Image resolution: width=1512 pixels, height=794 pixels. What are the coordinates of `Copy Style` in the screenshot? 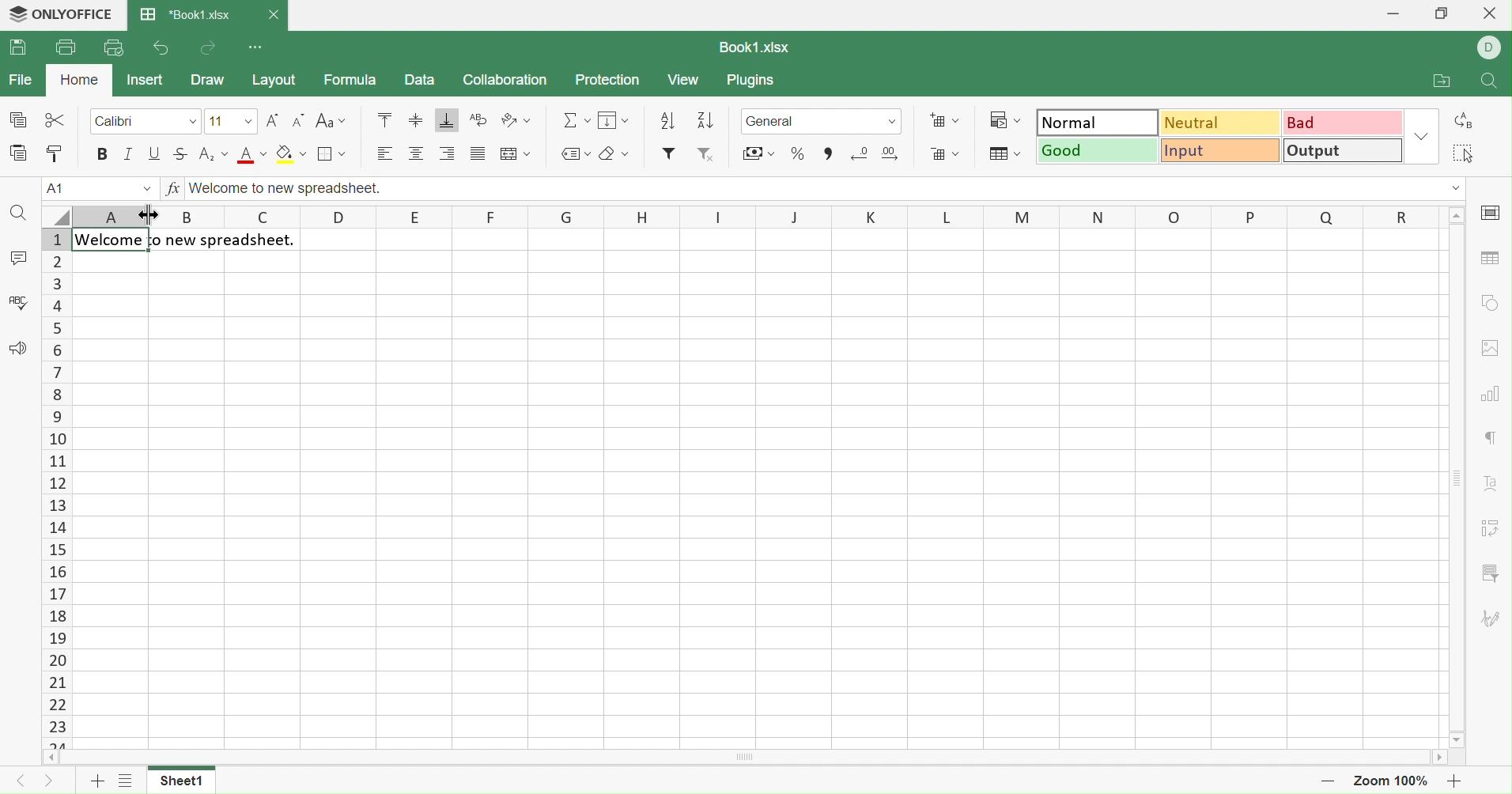 It's located at (57, 153).